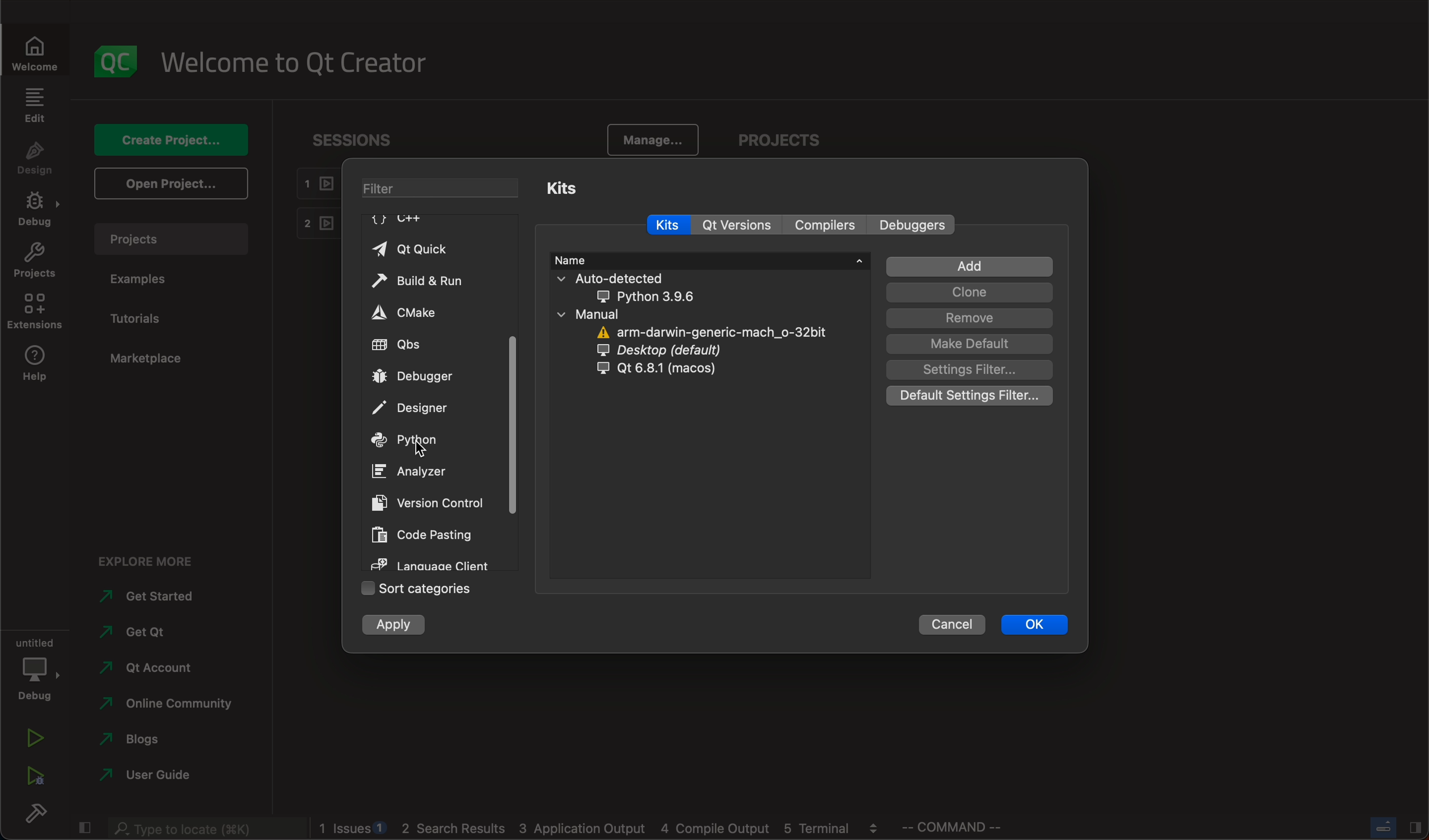 The height and width of the screenshot is (840, 1429). I want to click on qbs, so click(423, 345).